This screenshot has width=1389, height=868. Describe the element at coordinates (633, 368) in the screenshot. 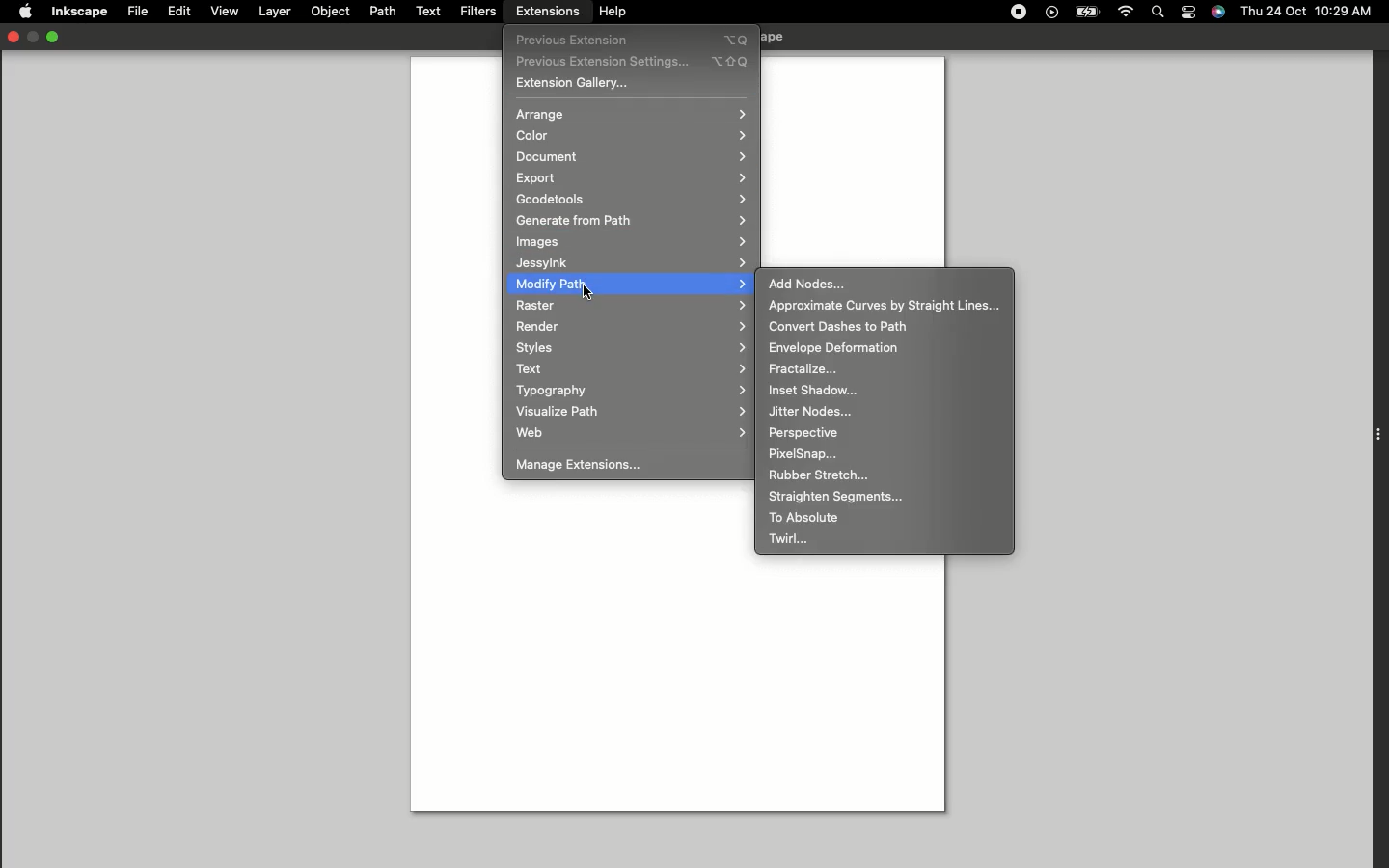

I see `Text` at that location.